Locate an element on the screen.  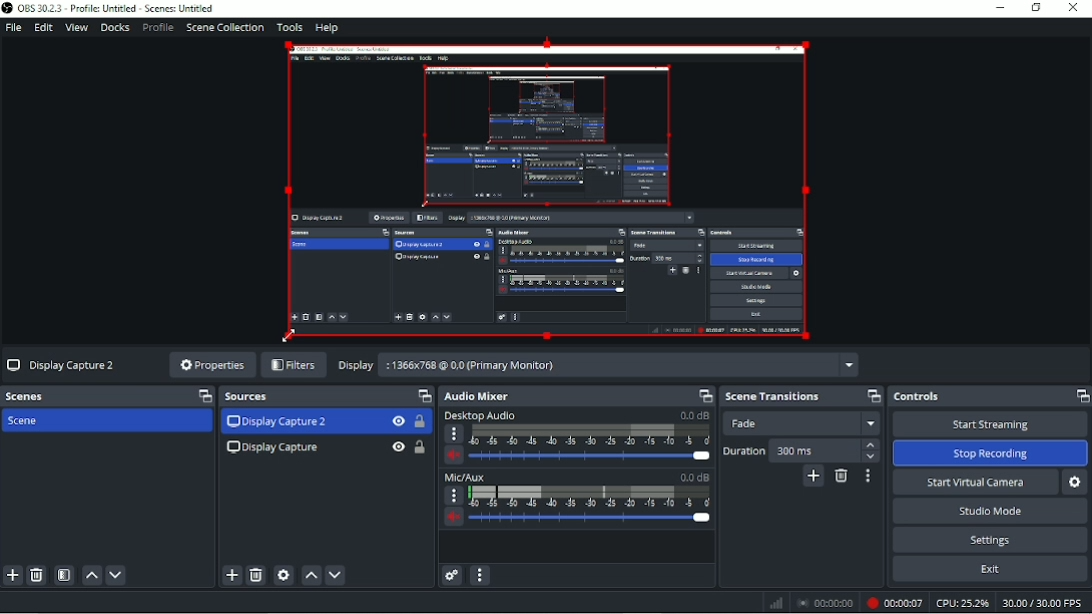
Maximize is located at coordinates (1081, 395).